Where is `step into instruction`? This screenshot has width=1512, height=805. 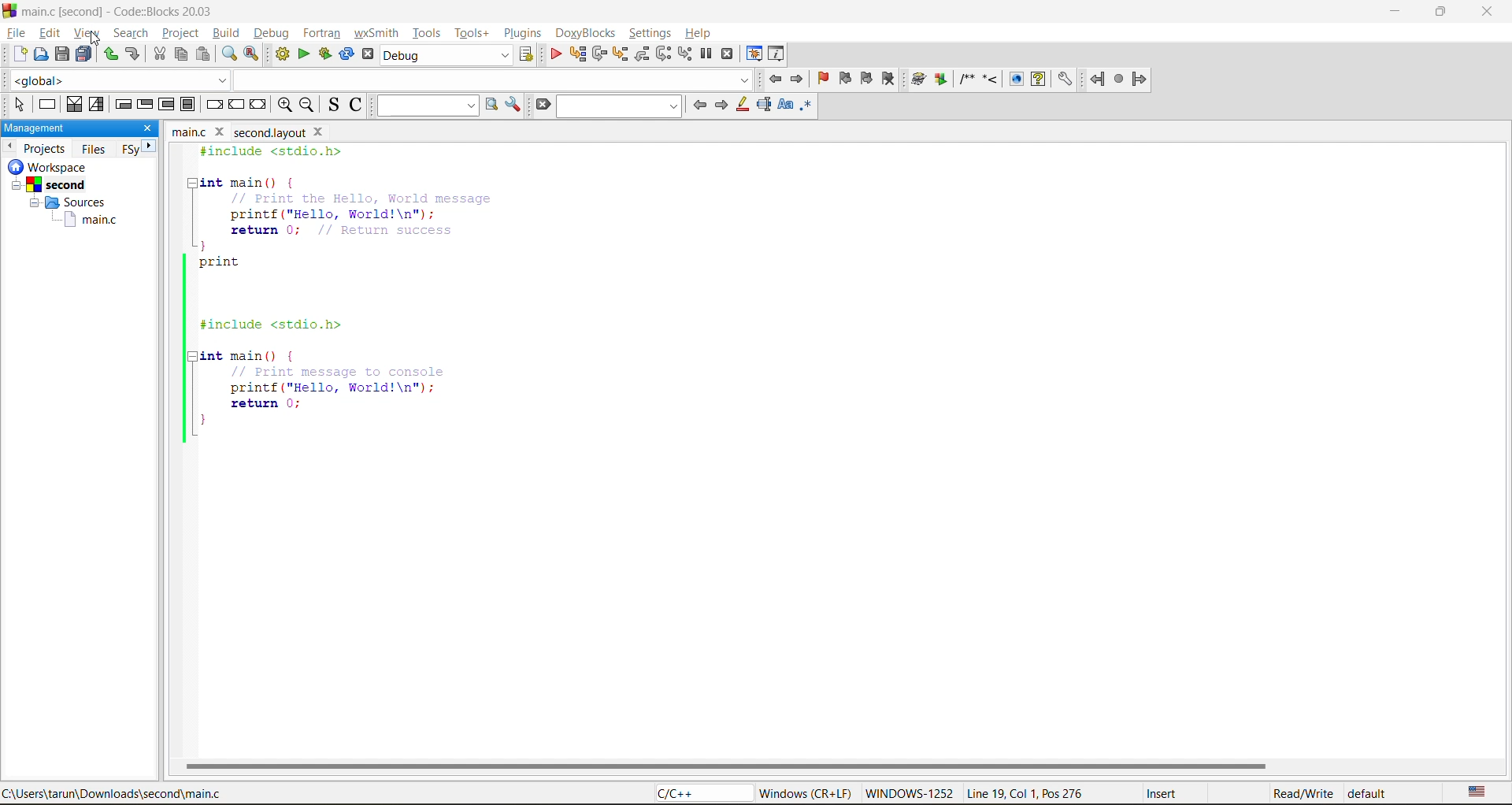 step into instruction is located at coordinates (686, 54).